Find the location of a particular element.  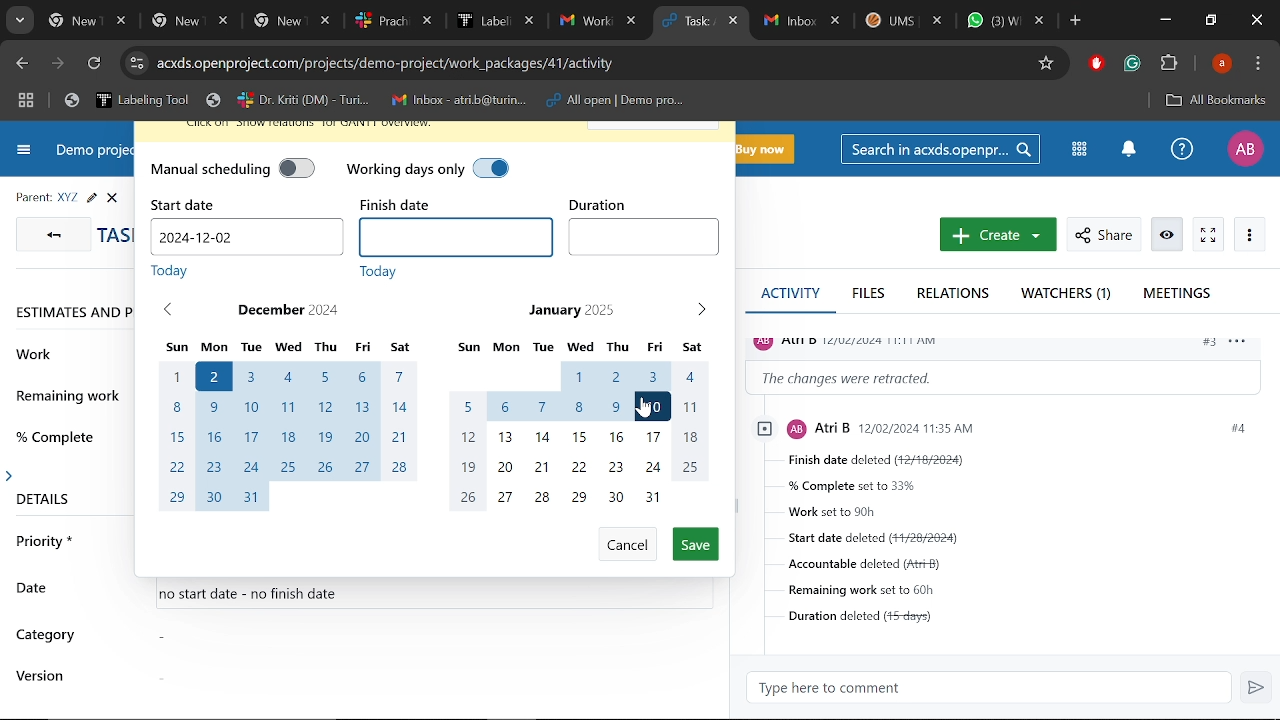

options is located at coordinates (1243, 345).